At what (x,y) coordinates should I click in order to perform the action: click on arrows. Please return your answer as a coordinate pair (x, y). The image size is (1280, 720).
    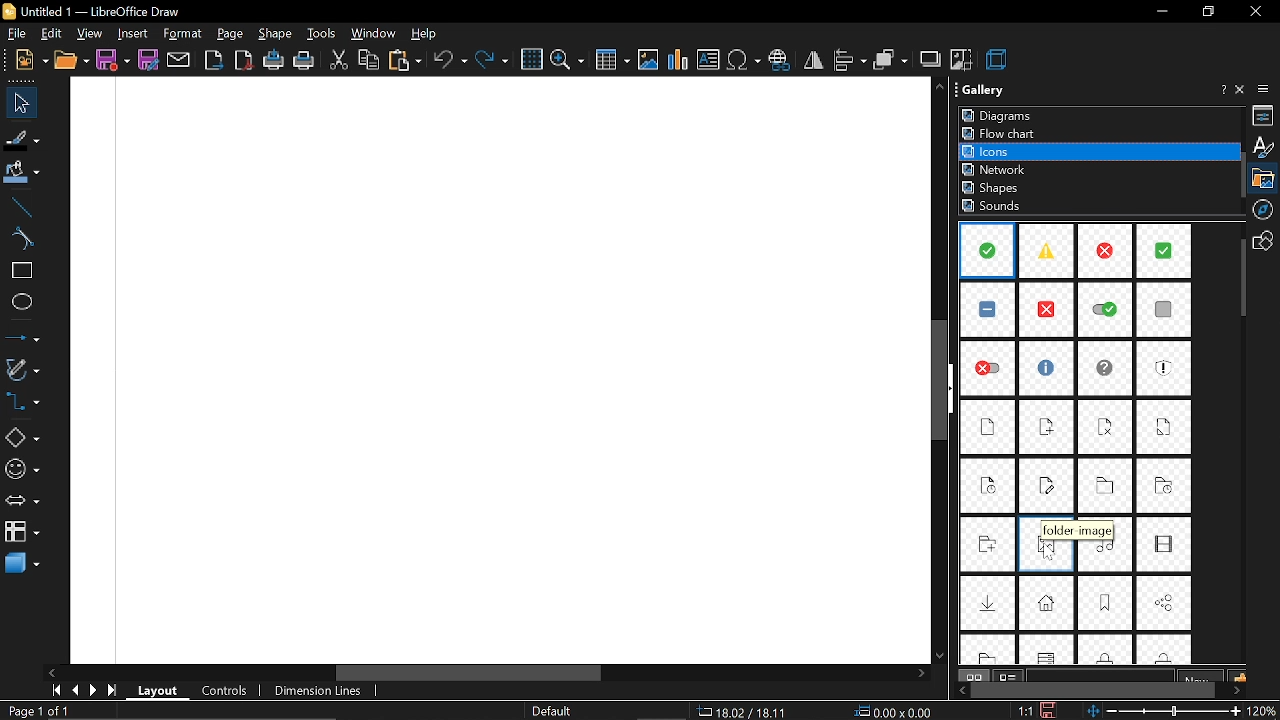
    Looking at the image, I should click on (20, 503).